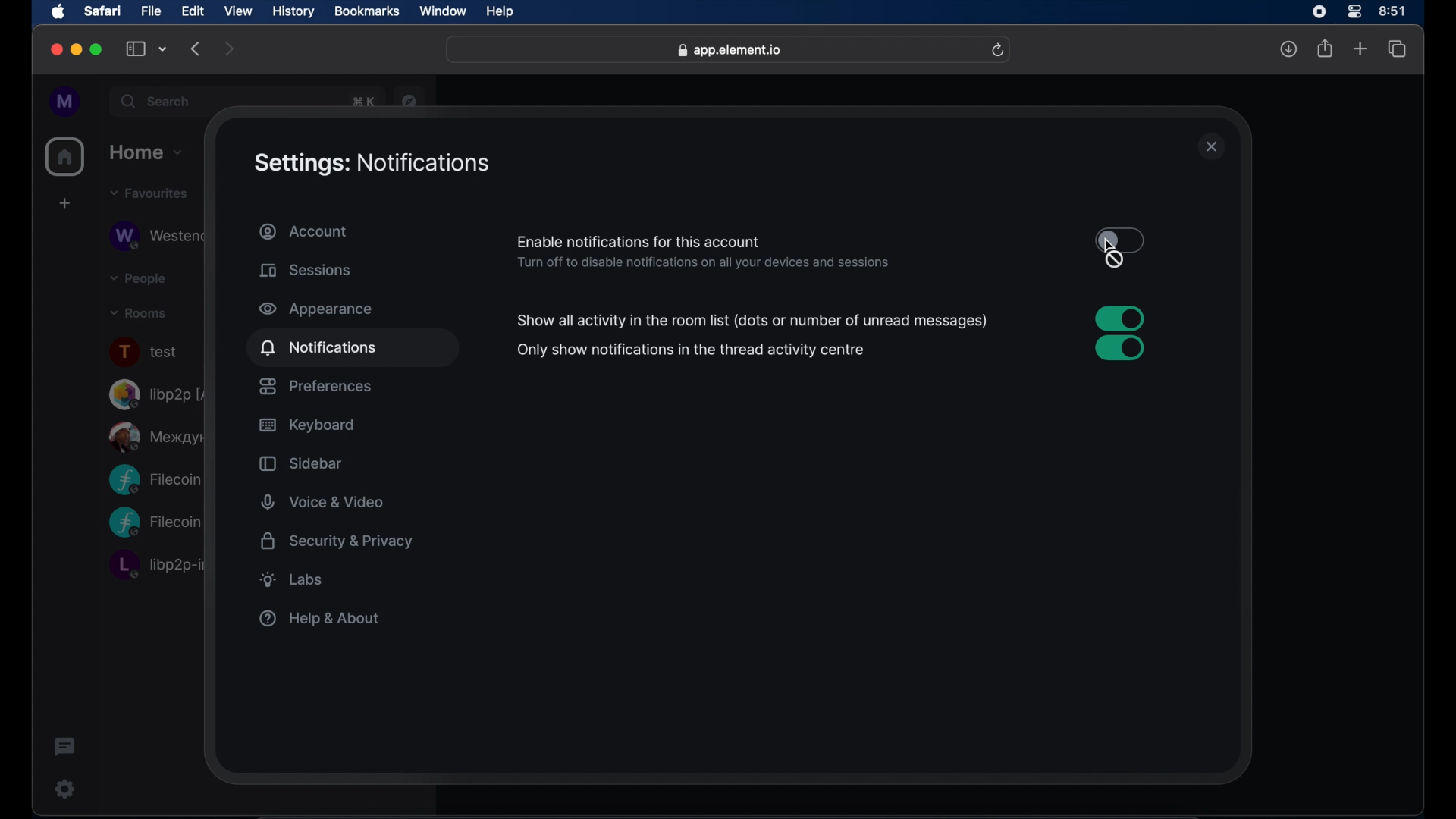  I want to click on create space, so click(64, 203).